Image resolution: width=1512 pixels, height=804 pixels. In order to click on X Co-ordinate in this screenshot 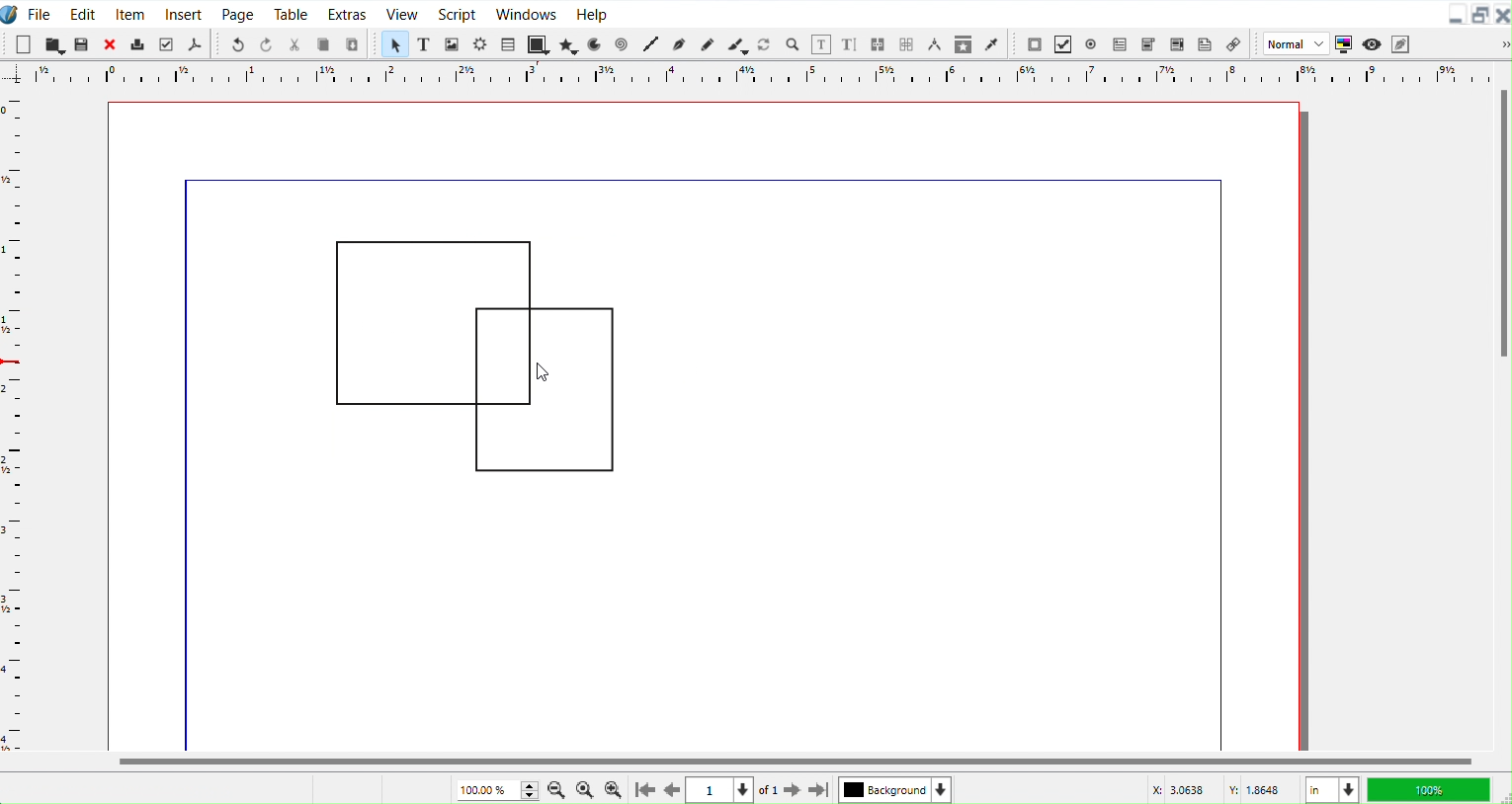, I will do `click(1178, 789)`.